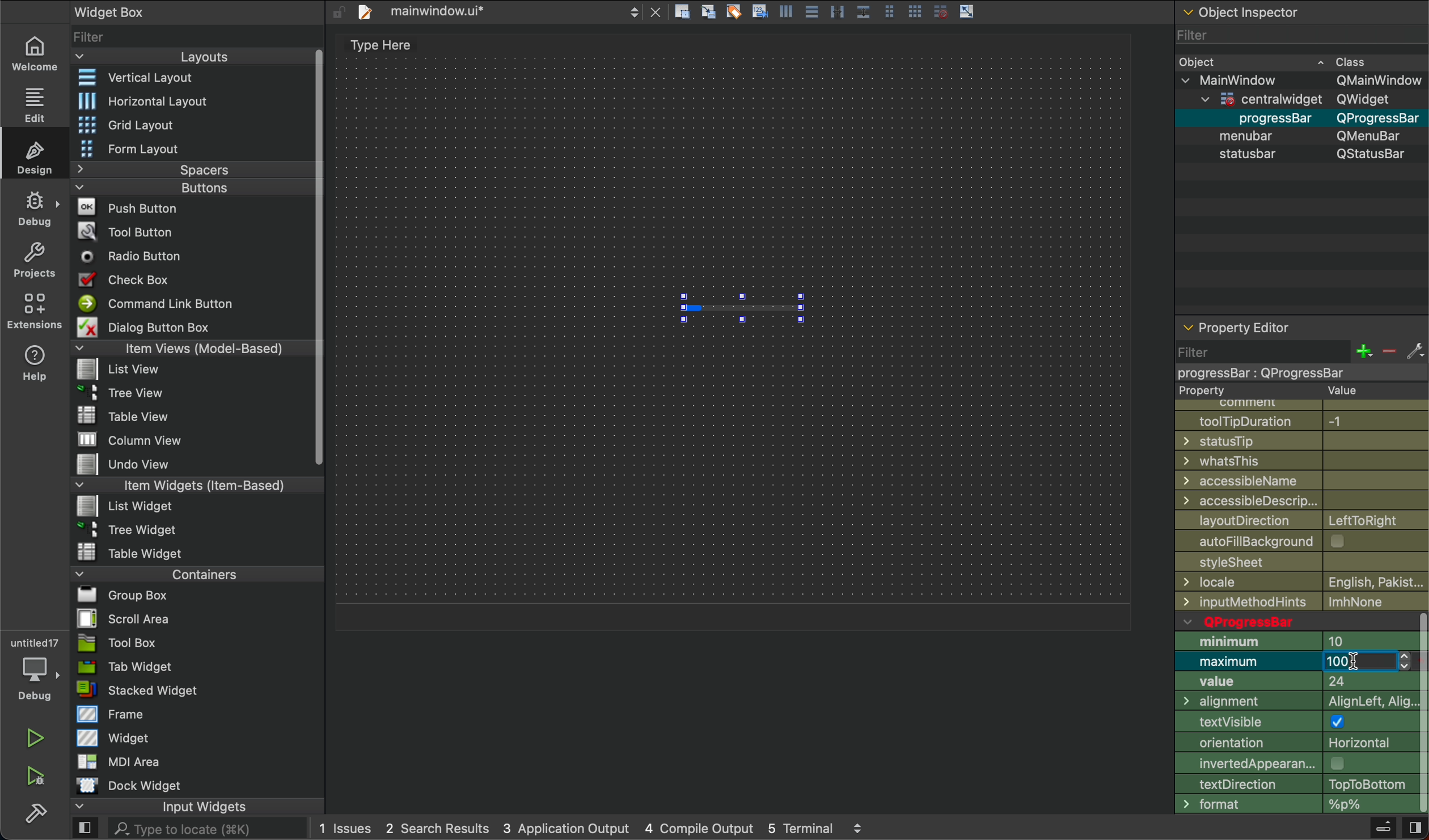 This screenshot has width=1429, height=840. Describe the element at coordinates (1303, 461) in the screenshot. I see `whatsthis` at that location.